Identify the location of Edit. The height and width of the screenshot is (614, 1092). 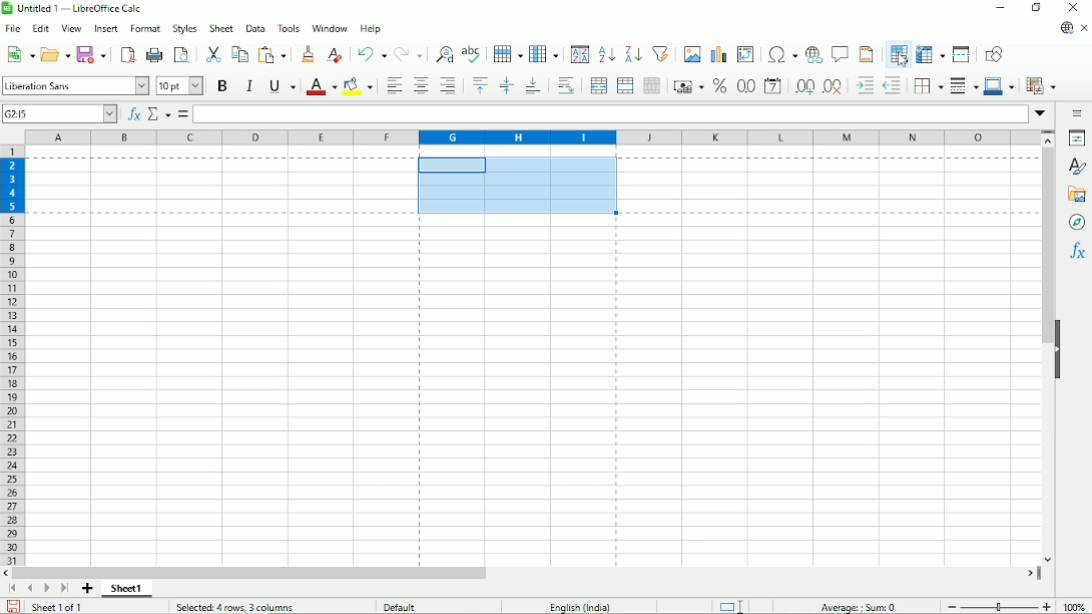
(42, 28).